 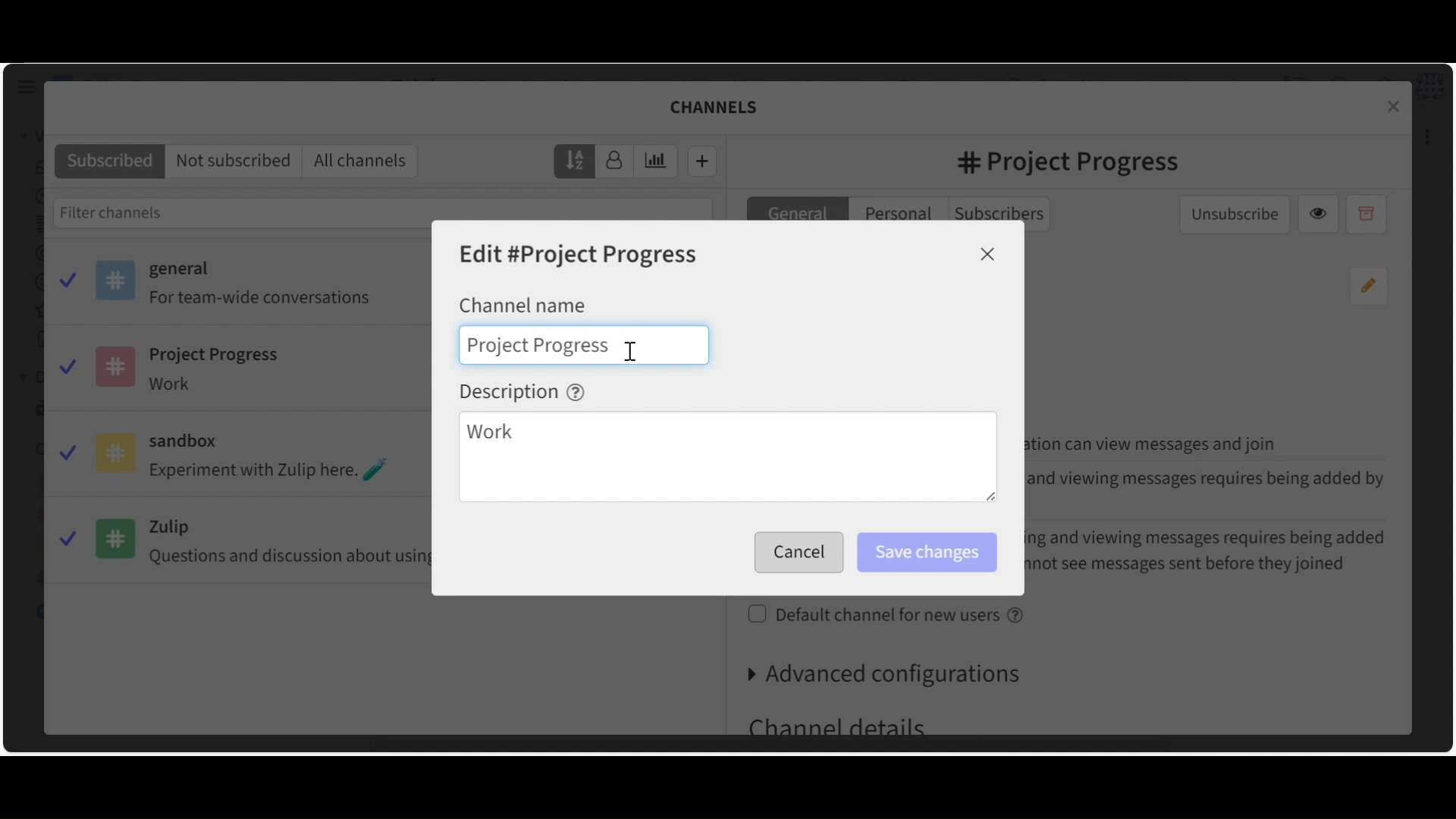 I want to click on Description, so click(x=522, y=391).